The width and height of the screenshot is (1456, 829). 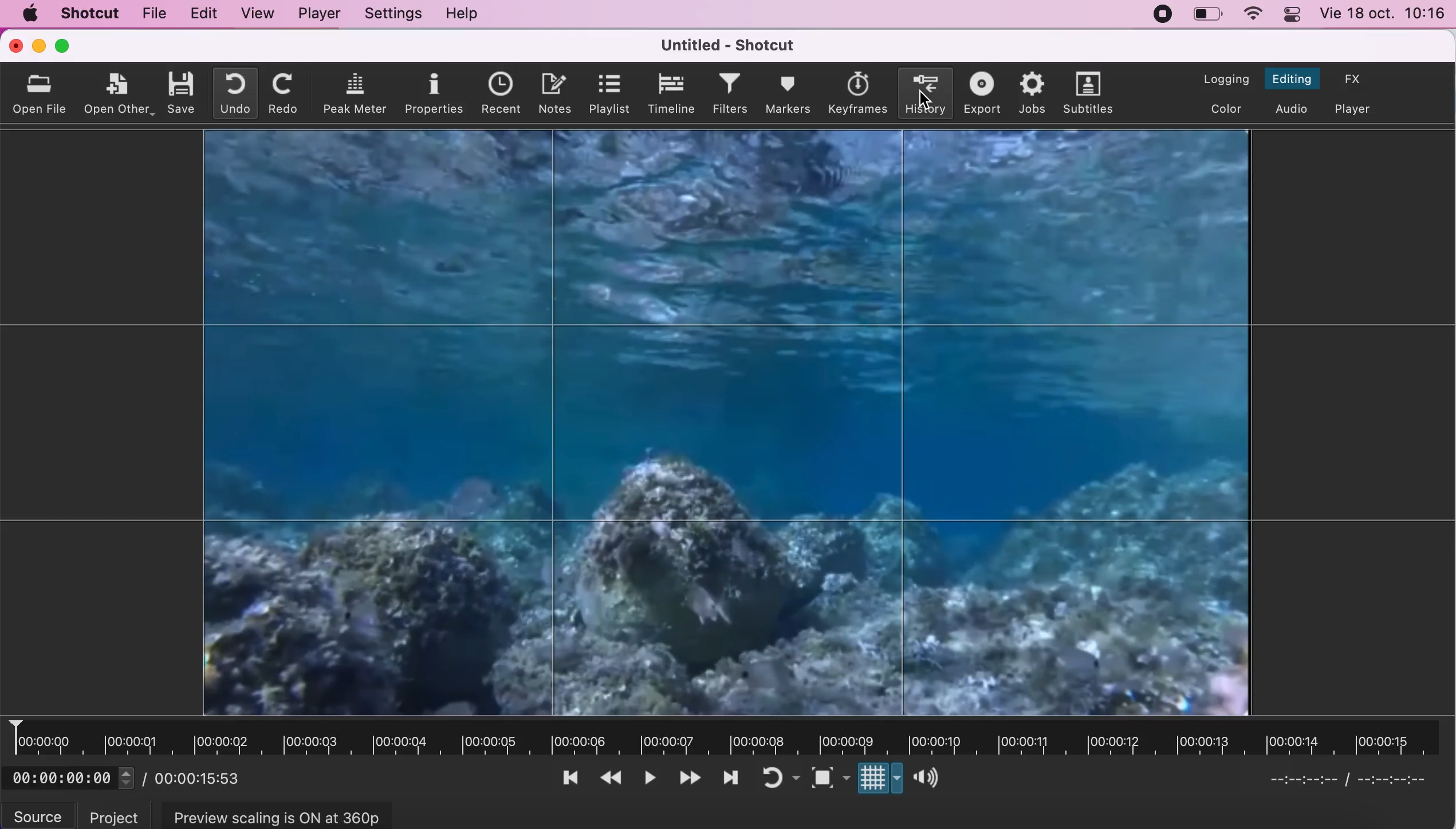 I want to click on cursor, so click(x=924, y=98).